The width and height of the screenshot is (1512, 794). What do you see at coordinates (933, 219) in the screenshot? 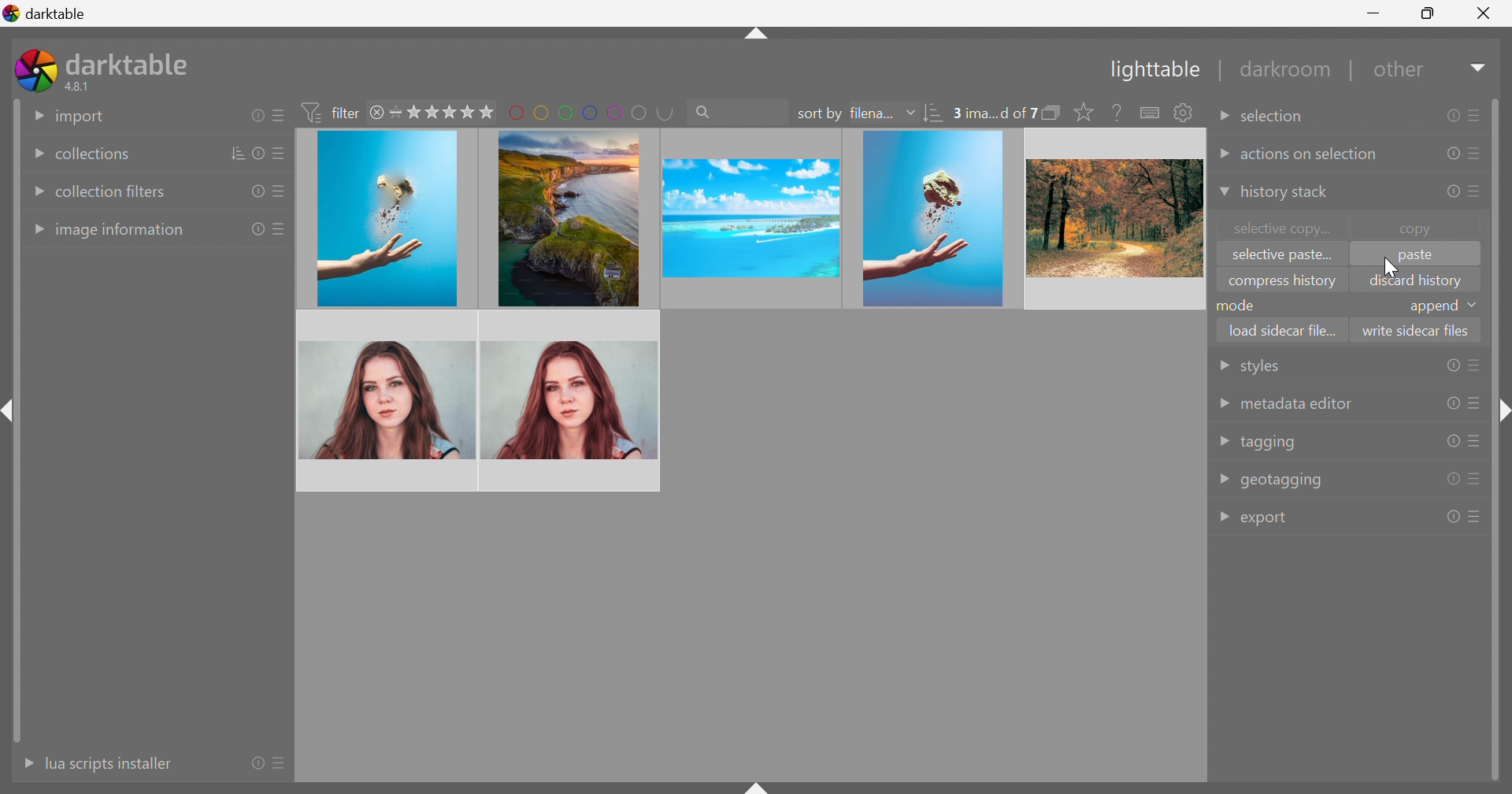
I see `image` at bounding box center [933, 219].